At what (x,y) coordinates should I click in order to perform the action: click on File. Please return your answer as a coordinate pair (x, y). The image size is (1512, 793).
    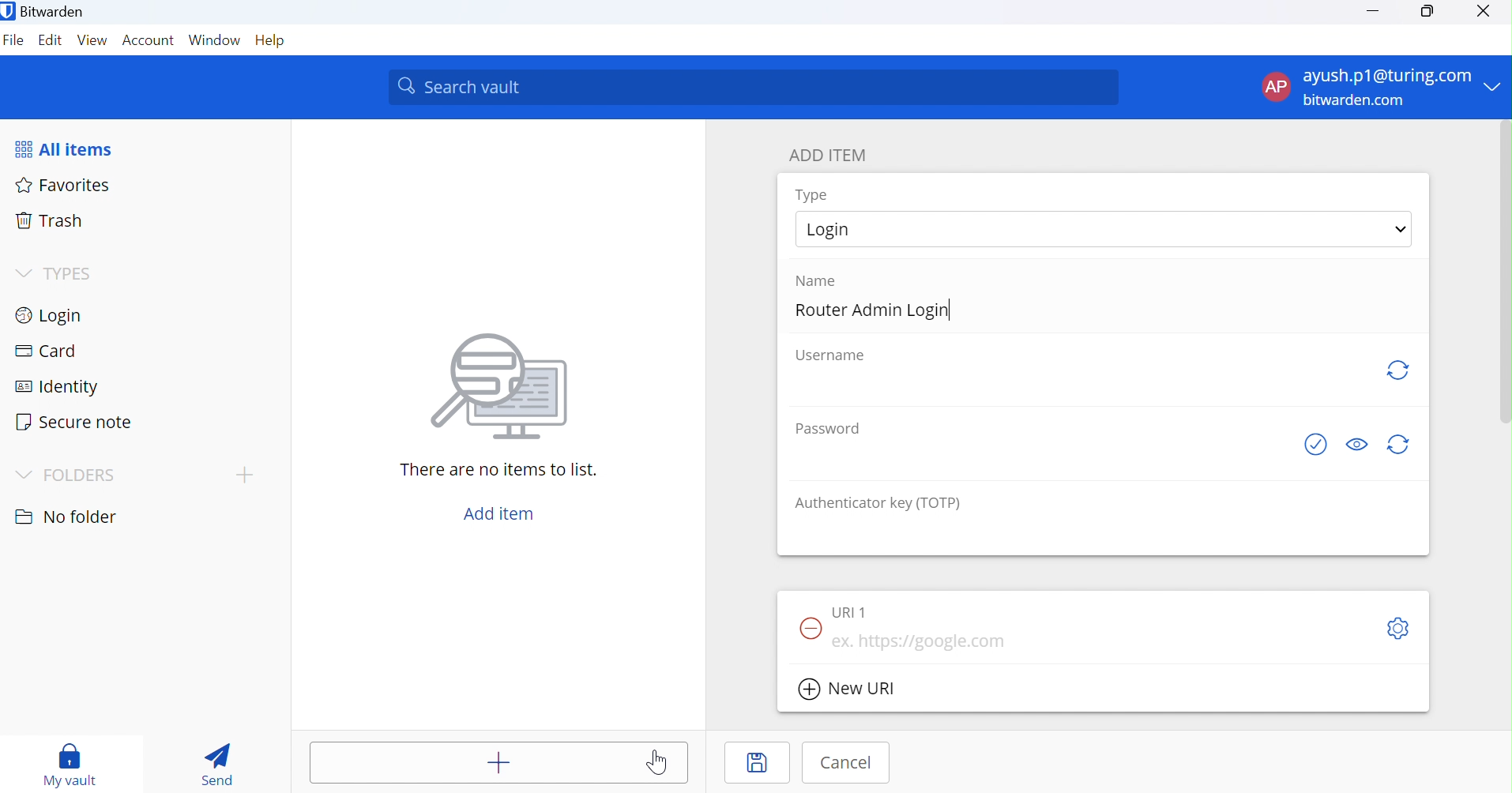
    Looking at the image, I should click on (14, 43).